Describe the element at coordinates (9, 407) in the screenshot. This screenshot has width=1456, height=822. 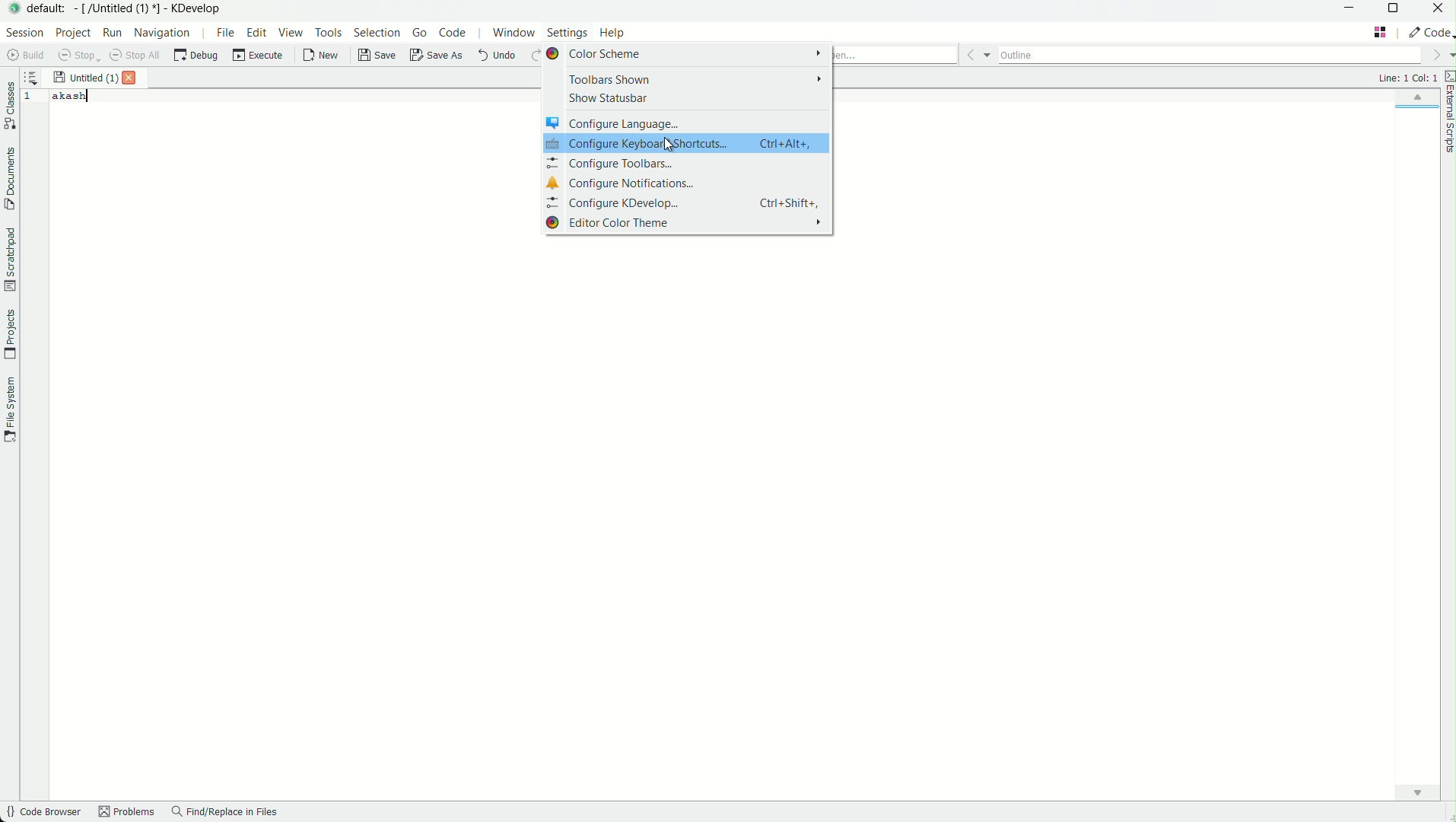
I see `file system` at that location.